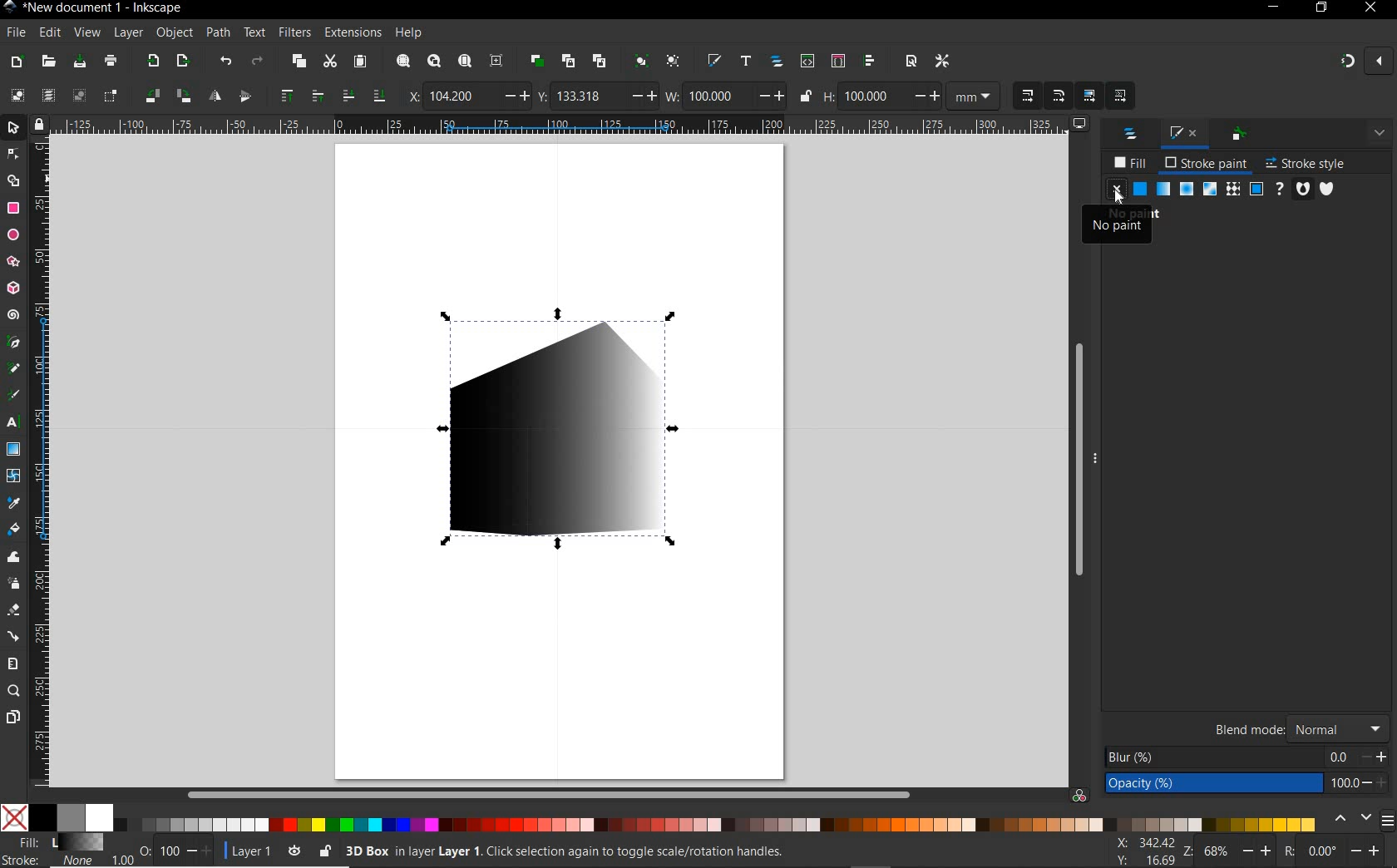 The width and height of the screenshot is (1397, 868). I want to click on FILL RULE: EVENODD, so click(1303, 189).